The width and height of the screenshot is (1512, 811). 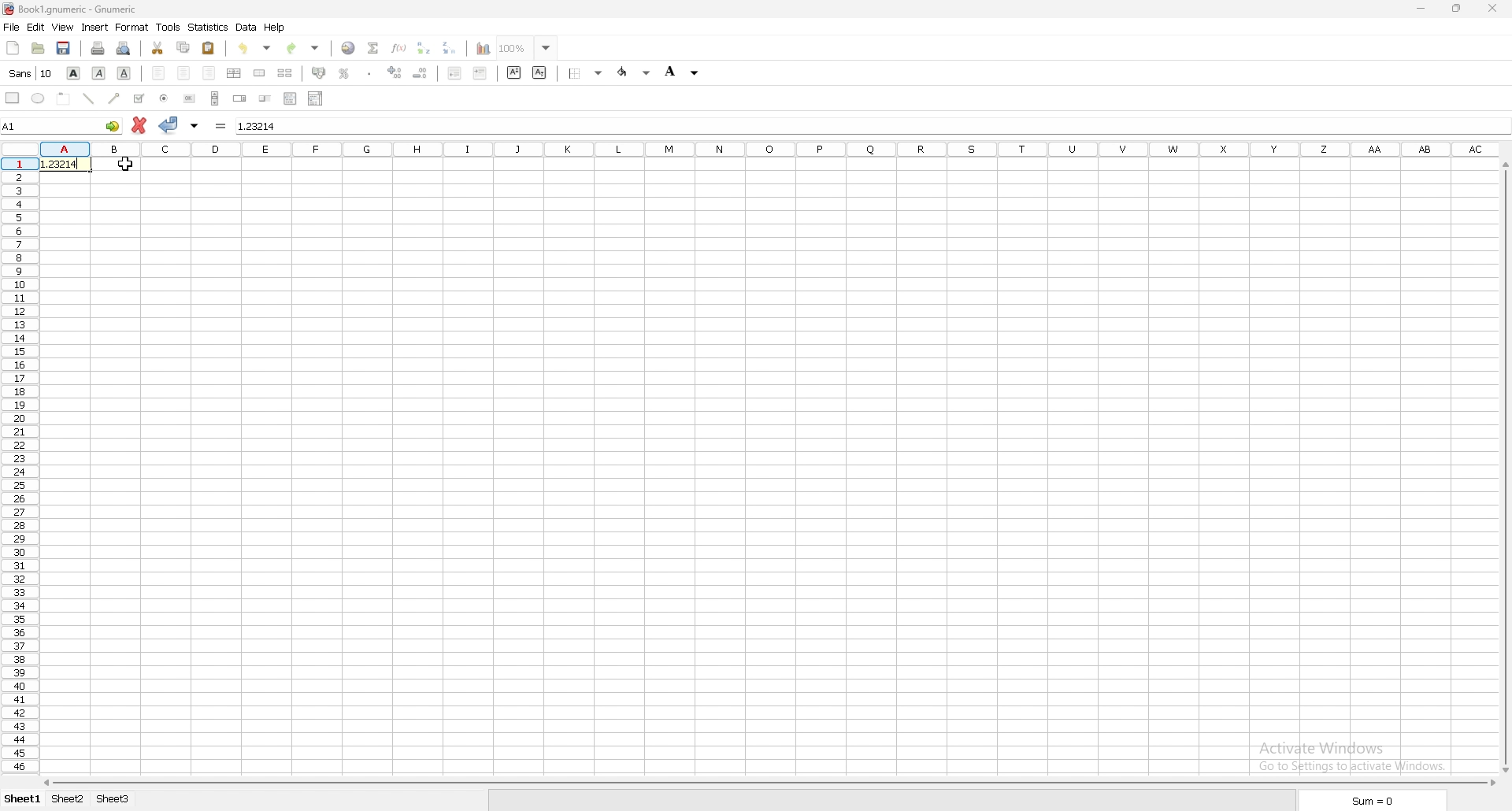 I want to click on print preview, so click(x=124, y=49).